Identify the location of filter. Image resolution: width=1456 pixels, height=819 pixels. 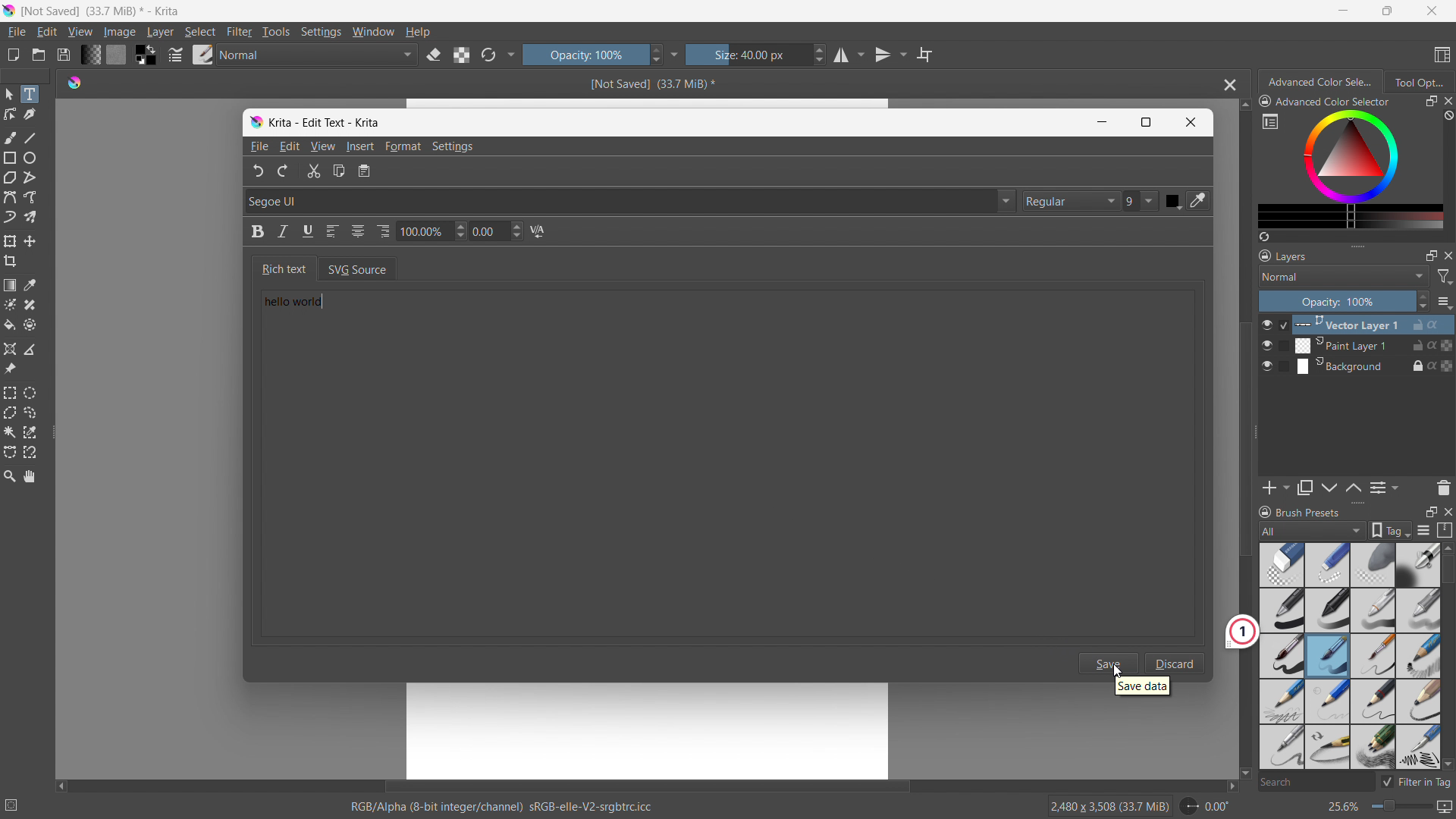
(1445, 277).